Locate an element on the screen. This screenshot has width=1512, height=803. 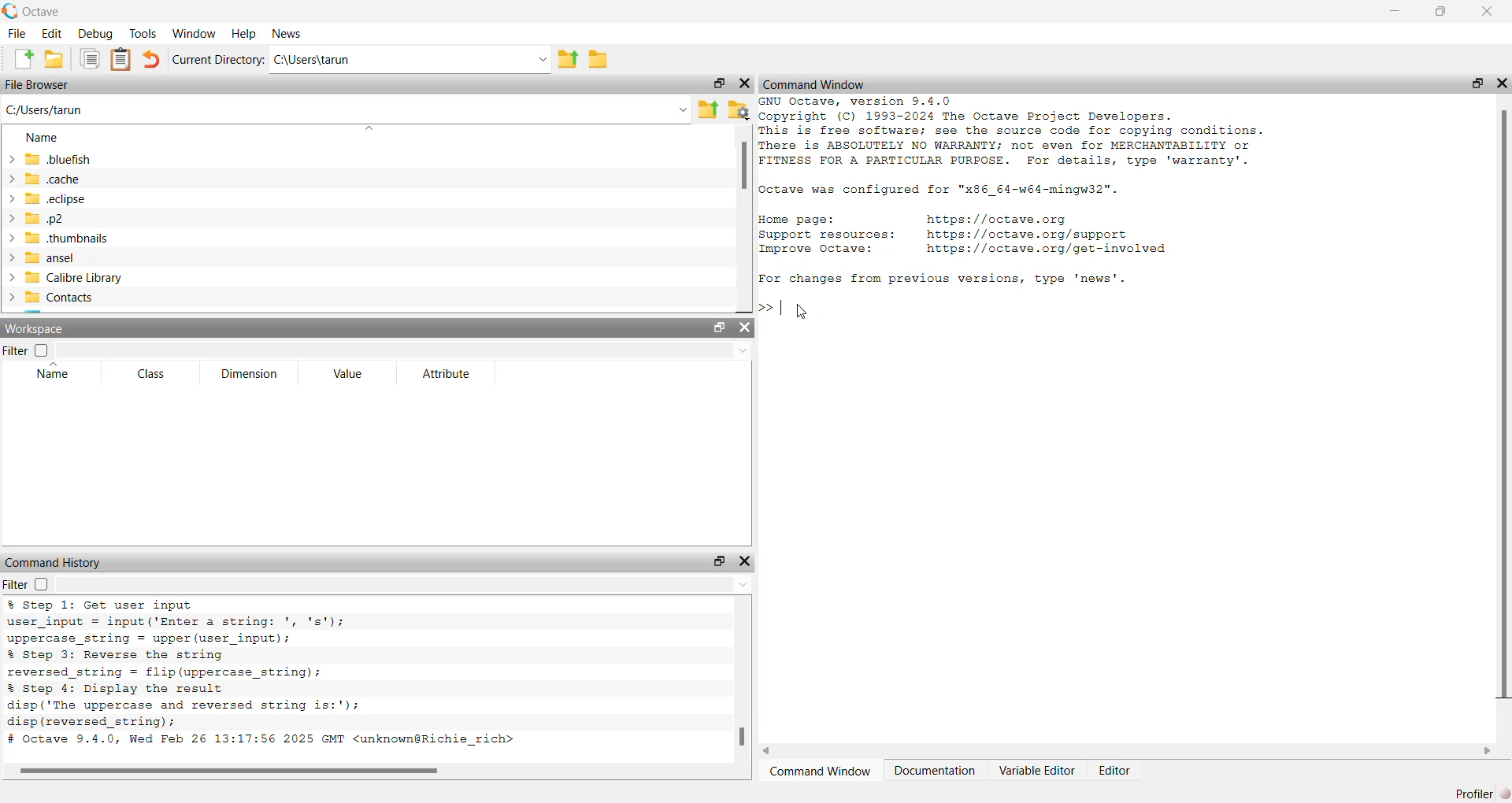
help is located at coordinates (243, 35).